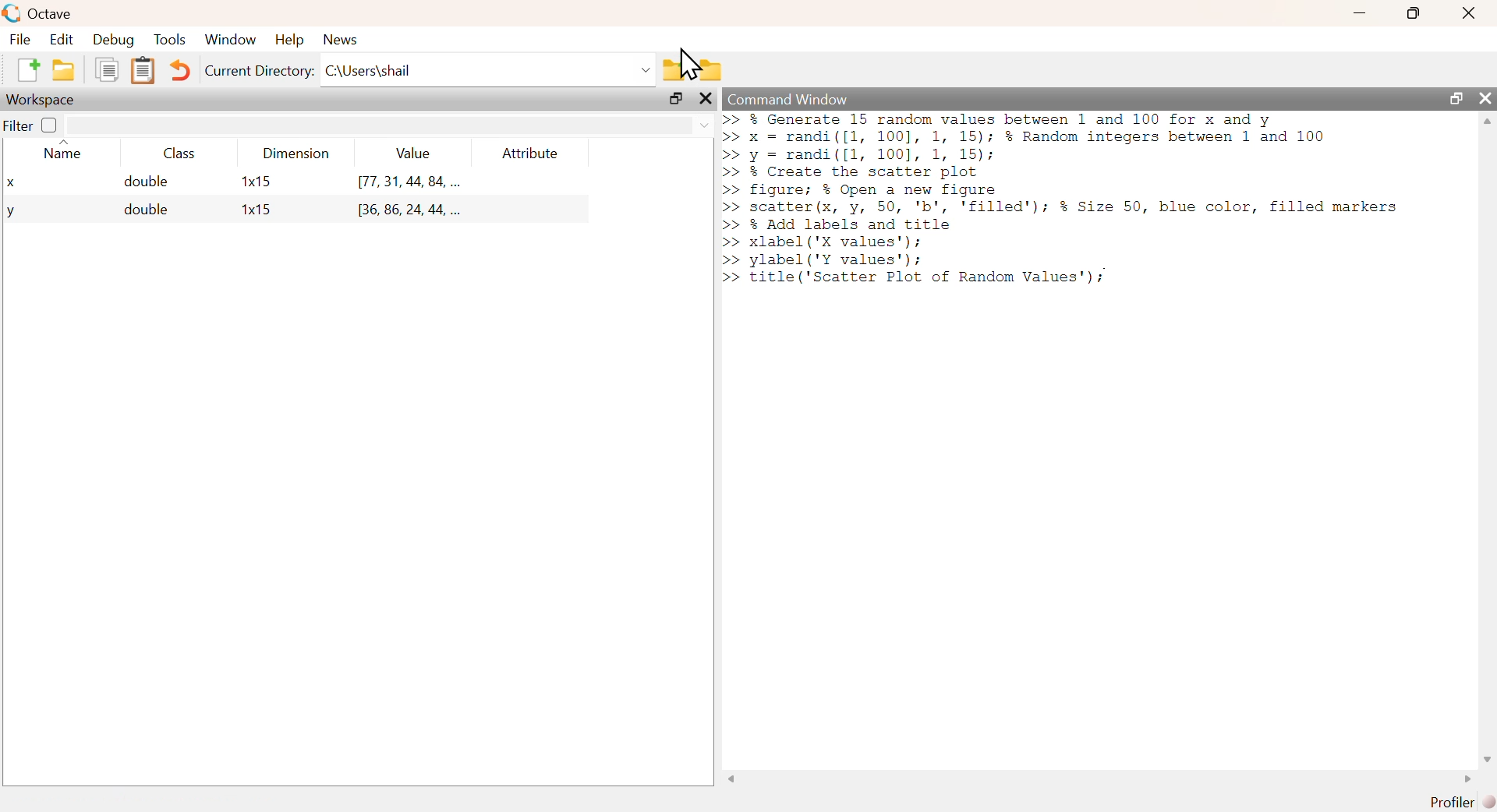 The image size is (1497, 812). What do you see at coordinates (1063, 199) in the screenshot?
I see `>> % Generate 15 random values between 1 and 100 for x and y

>> x = randi([1, 100], 1, 15); % Random integers between 1 and 100

>> y = randi([1l, 100], 1, 15);

>> % Create the scatter plot

>> figure; % Open a new figure

>> scatter(x, y, 50, 'b', 'filled'); % Size 50, blue color, filled markers
>> % Add labels and title

>> xlabel ('X values');

>> ylabel ('Y values'); |

>> title('Scatter Plot of Random Values'):;` at bounding box center [1063, 199].